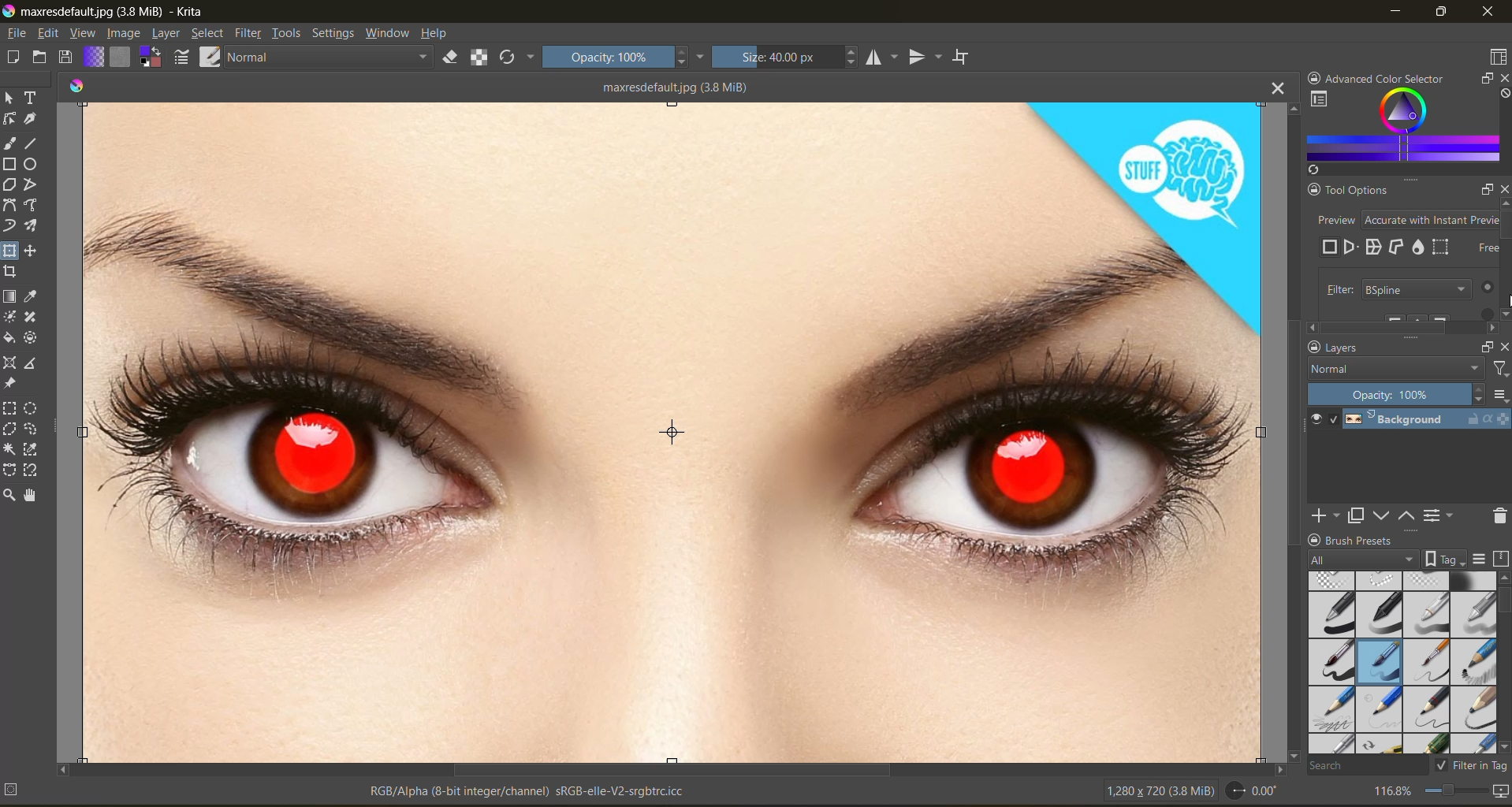 Image resolution: width=1512 pixels, height=807 pixels. What do you see at coordinates (1291, 431) in the screenshot?
I see `vertical scroll bar` at bounding box center [1291, 431].